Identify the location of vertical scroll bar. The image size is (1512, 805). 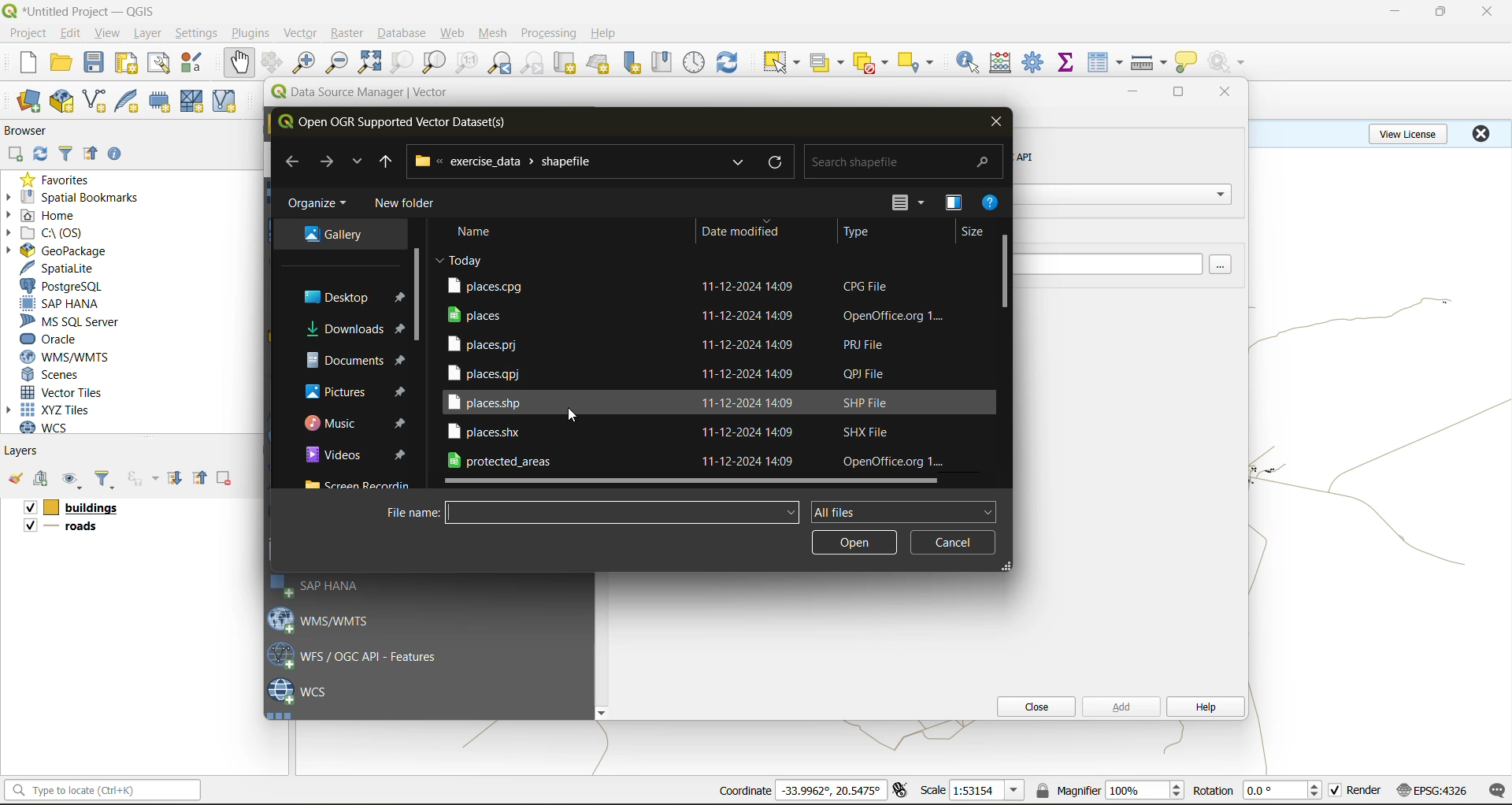
(1006, 270).